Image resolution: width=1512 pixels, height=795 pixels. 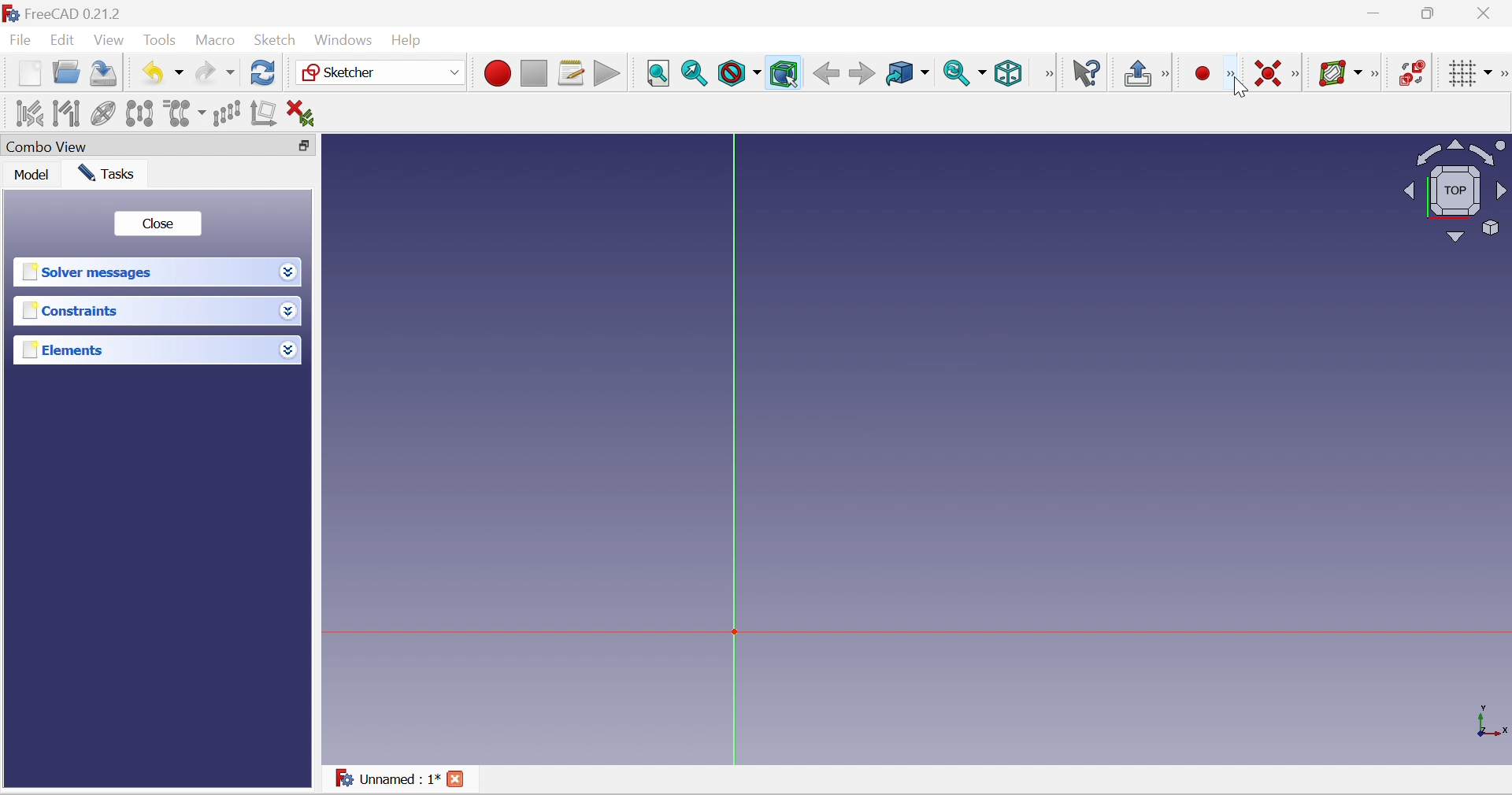 What do you see at coordinates (1455, 190) in the screenshot?
I see `Viewing angle` at bounding box center [1455, 190].